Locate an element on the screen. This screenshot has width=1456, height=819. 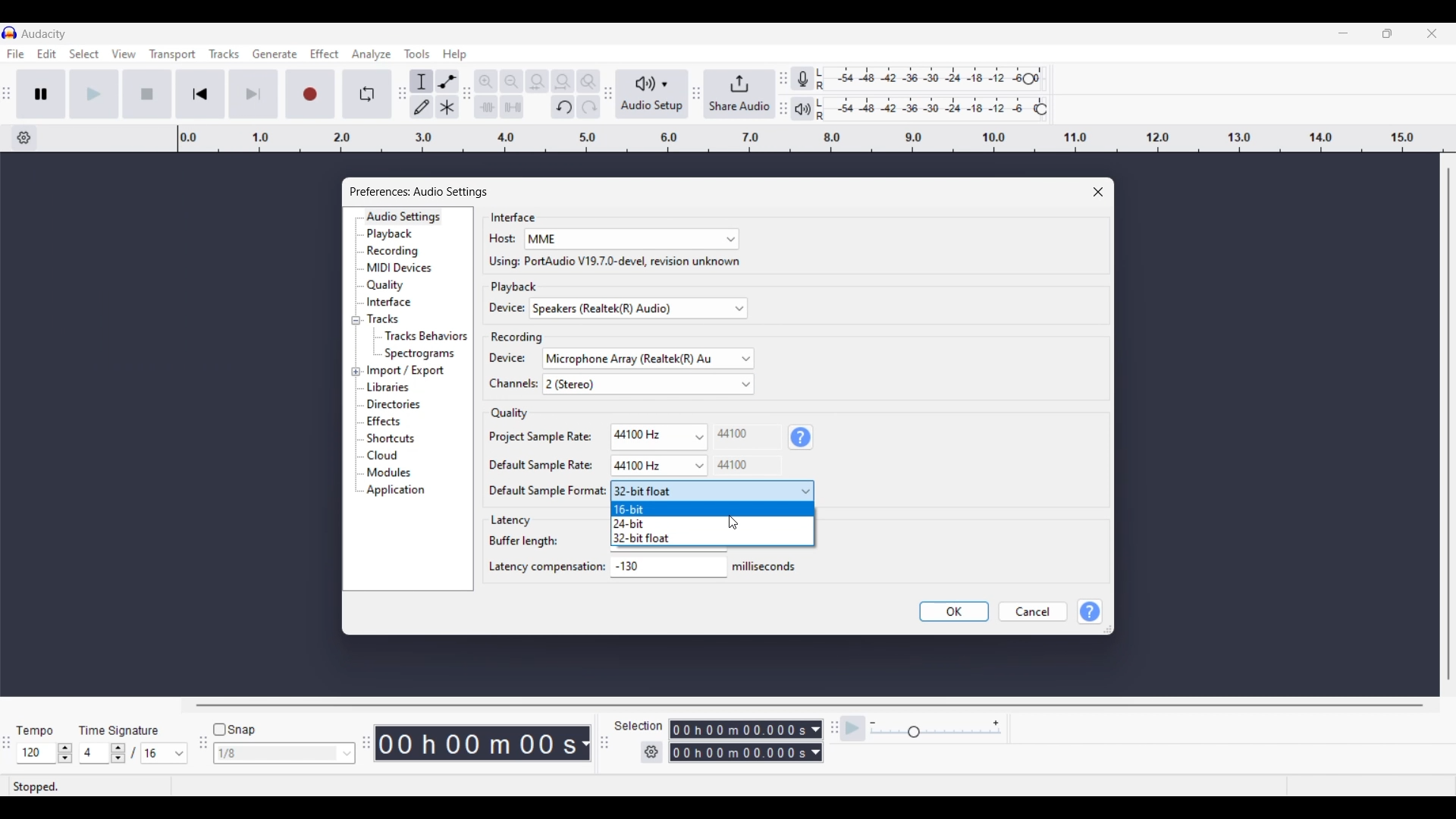
Edit menu is located at coordinates (47, 55).